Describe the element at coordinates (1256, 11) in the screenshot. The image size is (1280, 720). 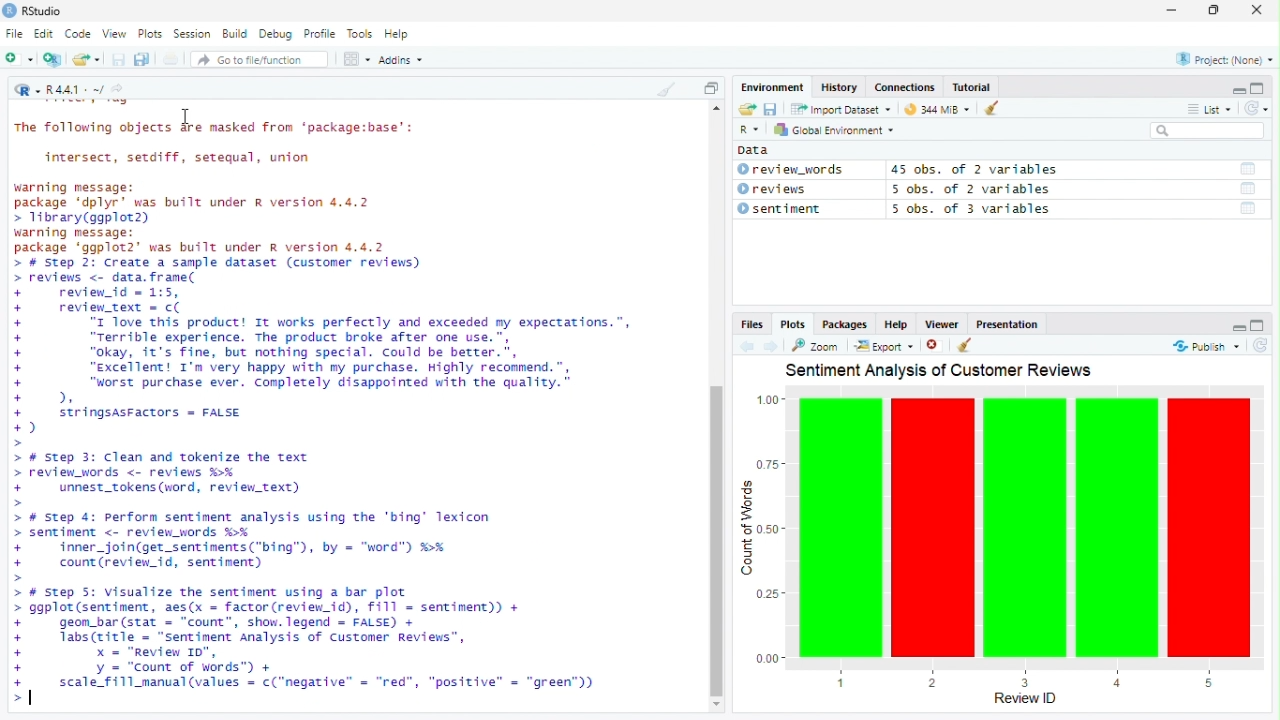
I see `Close` at that location.